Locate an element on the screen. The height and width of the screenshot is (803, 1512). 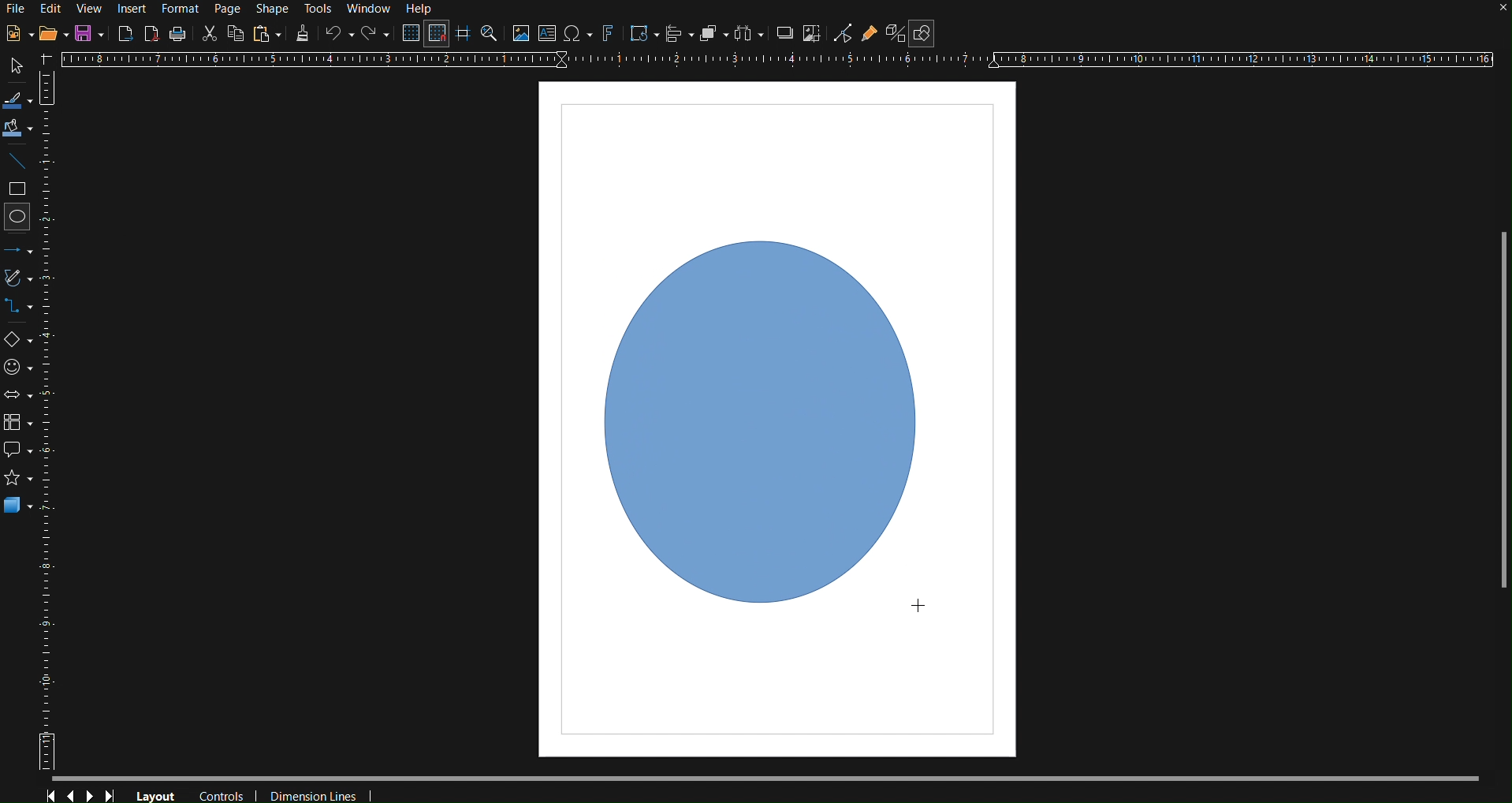
Fill Color is located at coordinates (18, 129).